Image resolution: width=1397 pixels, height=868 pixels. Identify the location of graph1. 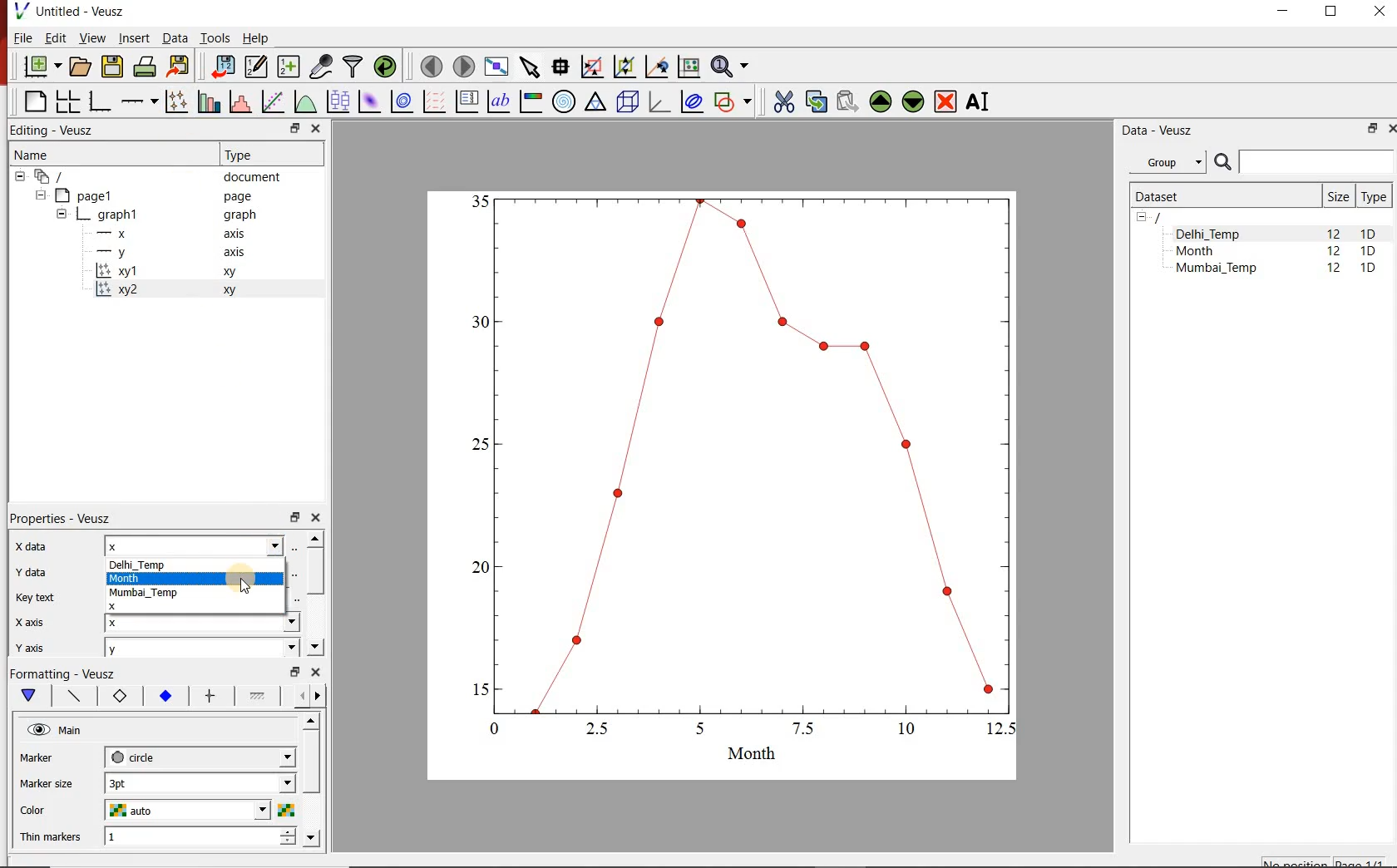
(741, 474).